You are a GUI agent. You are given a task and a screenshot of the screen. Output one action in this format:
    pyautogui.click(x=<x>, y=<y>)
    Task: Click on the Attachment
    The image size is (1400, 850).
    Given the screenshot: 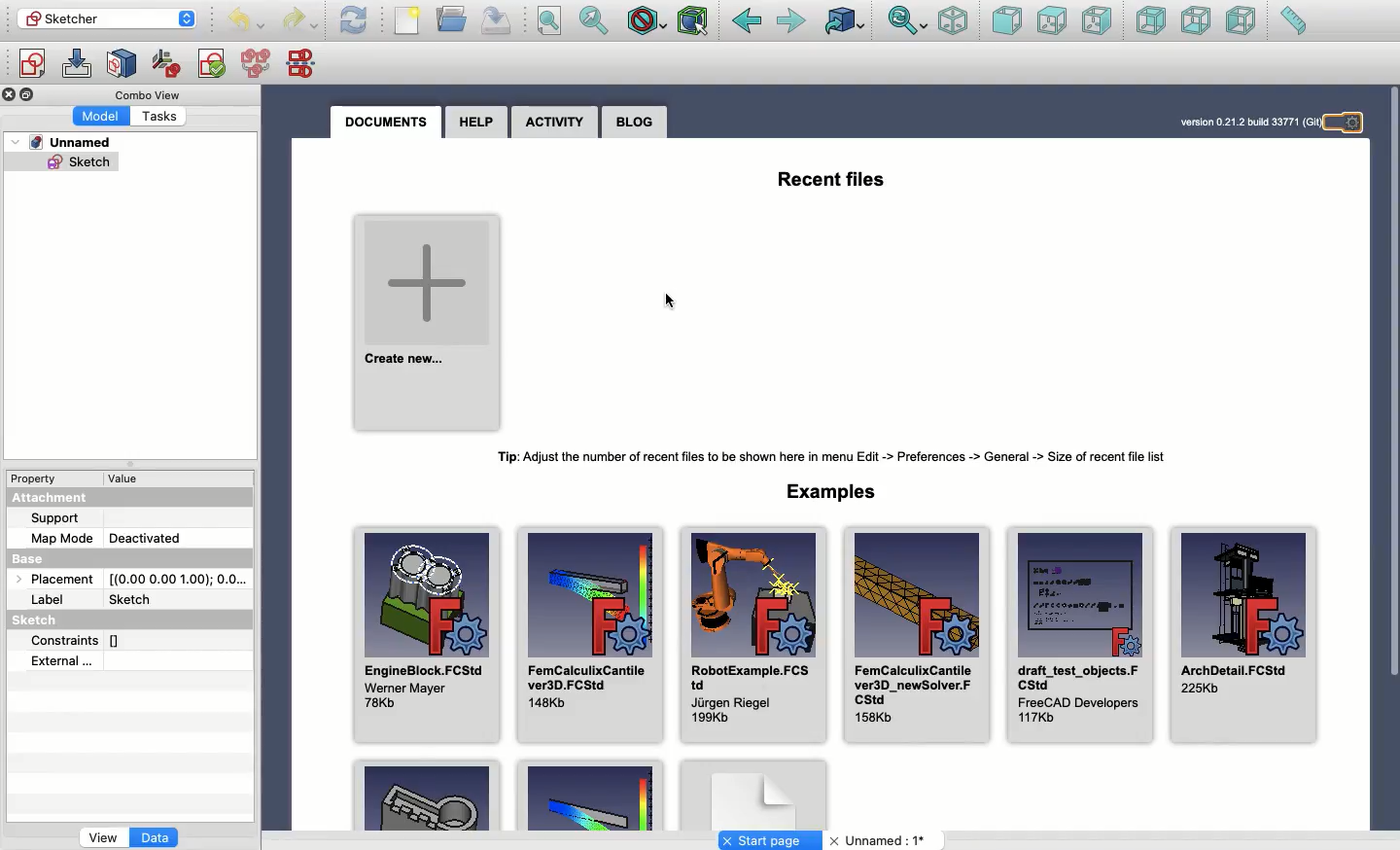 What is the action you would take?
    pyautogui.click(x=60, y=497)
    